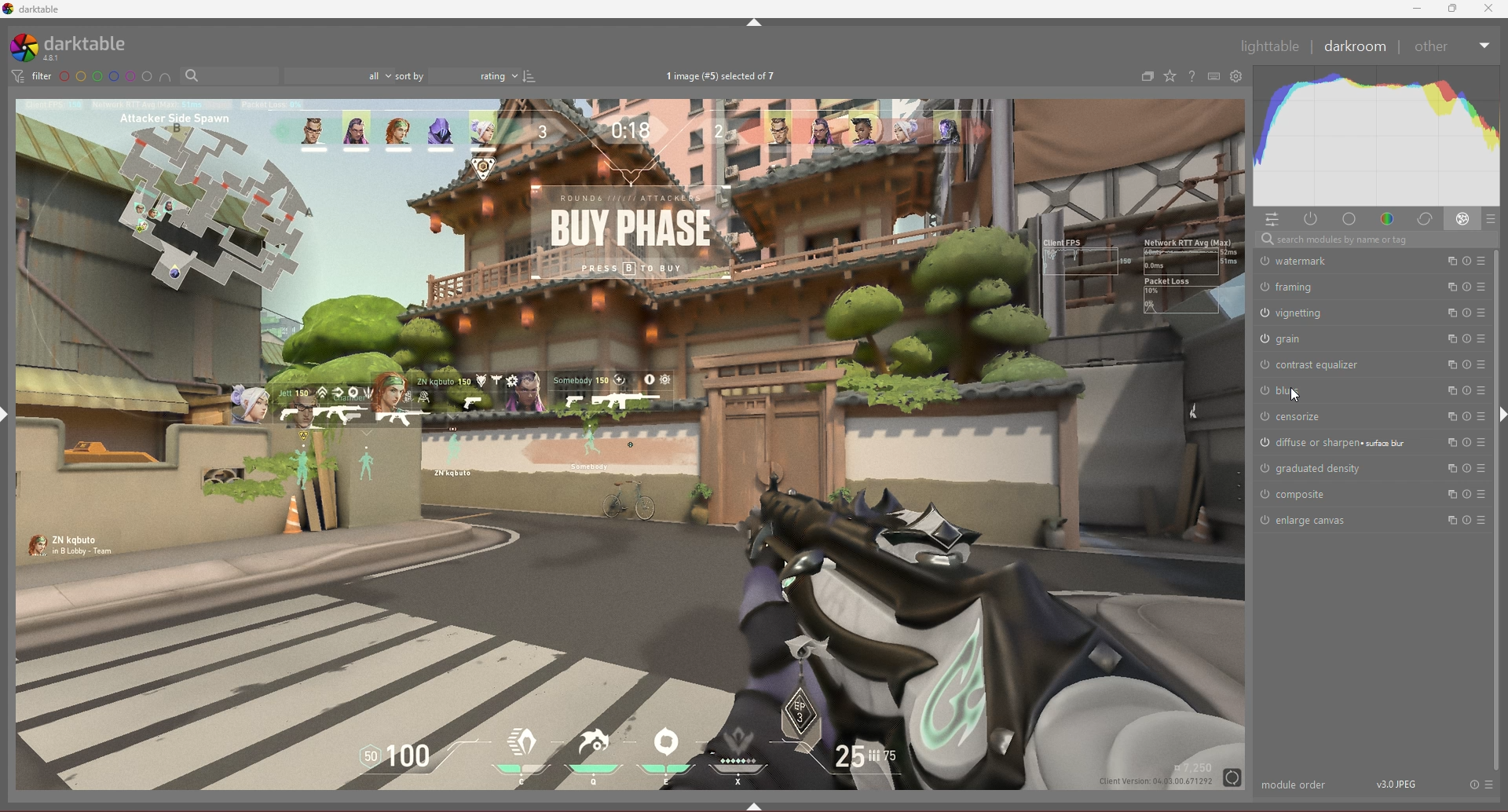 The image size is (1508, 812). Describe the element at coordinates (1318, 468) in the screenshot. I see `graduated density` at that location.